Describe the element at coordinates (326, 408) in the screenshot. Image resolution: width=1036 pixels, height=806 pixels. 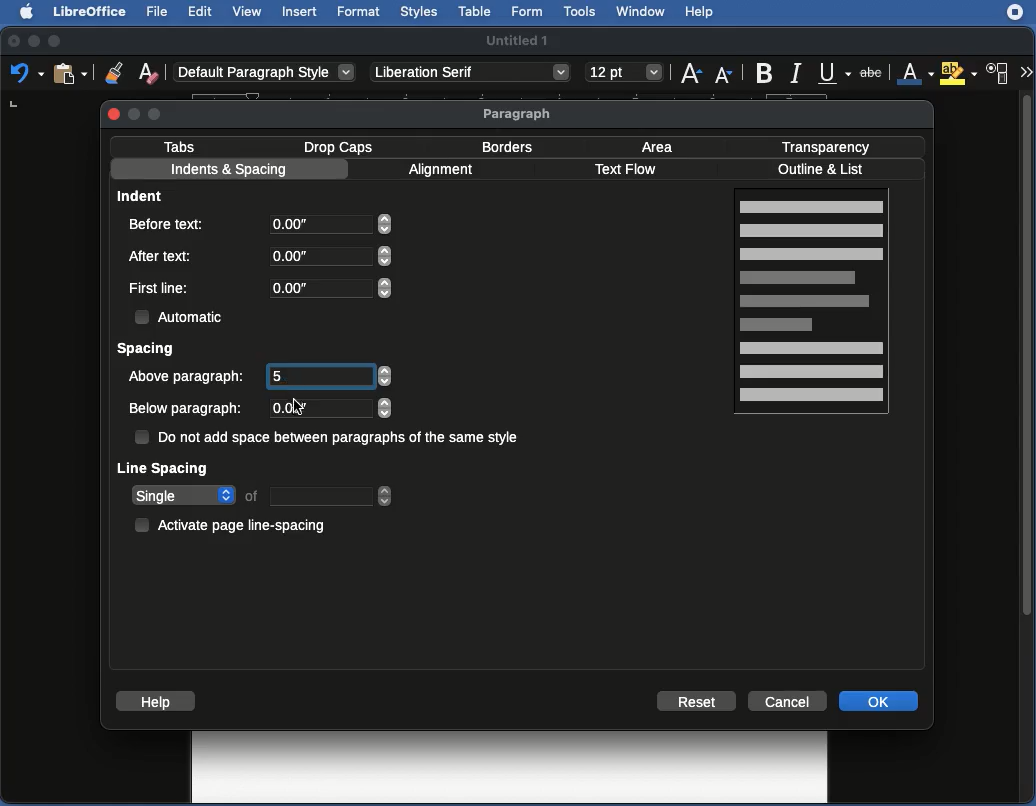
I see `0.00"` at that location.